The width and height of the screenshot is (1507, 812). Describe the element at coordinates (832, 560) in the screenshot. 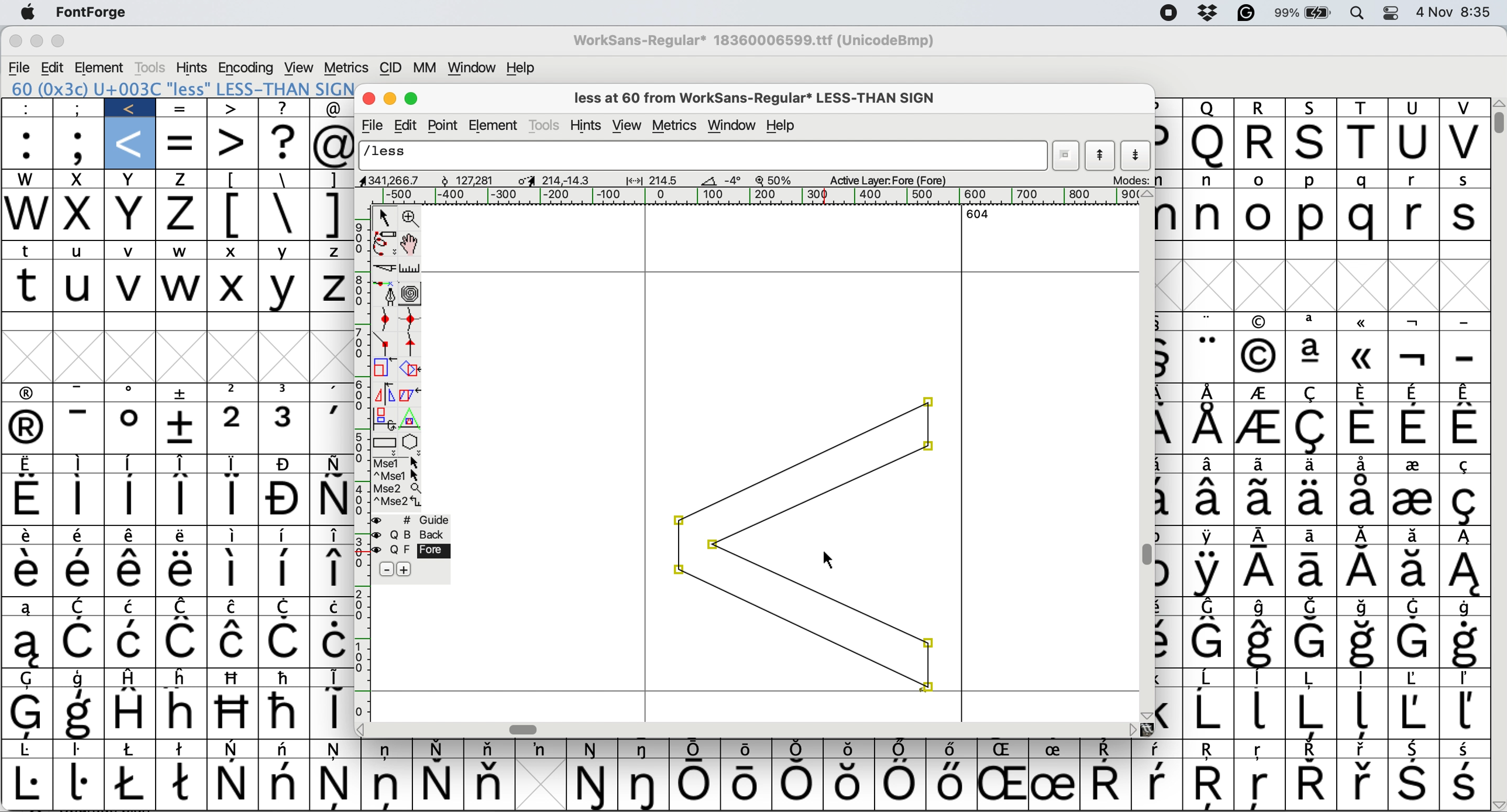

I see `cursor` at that location.